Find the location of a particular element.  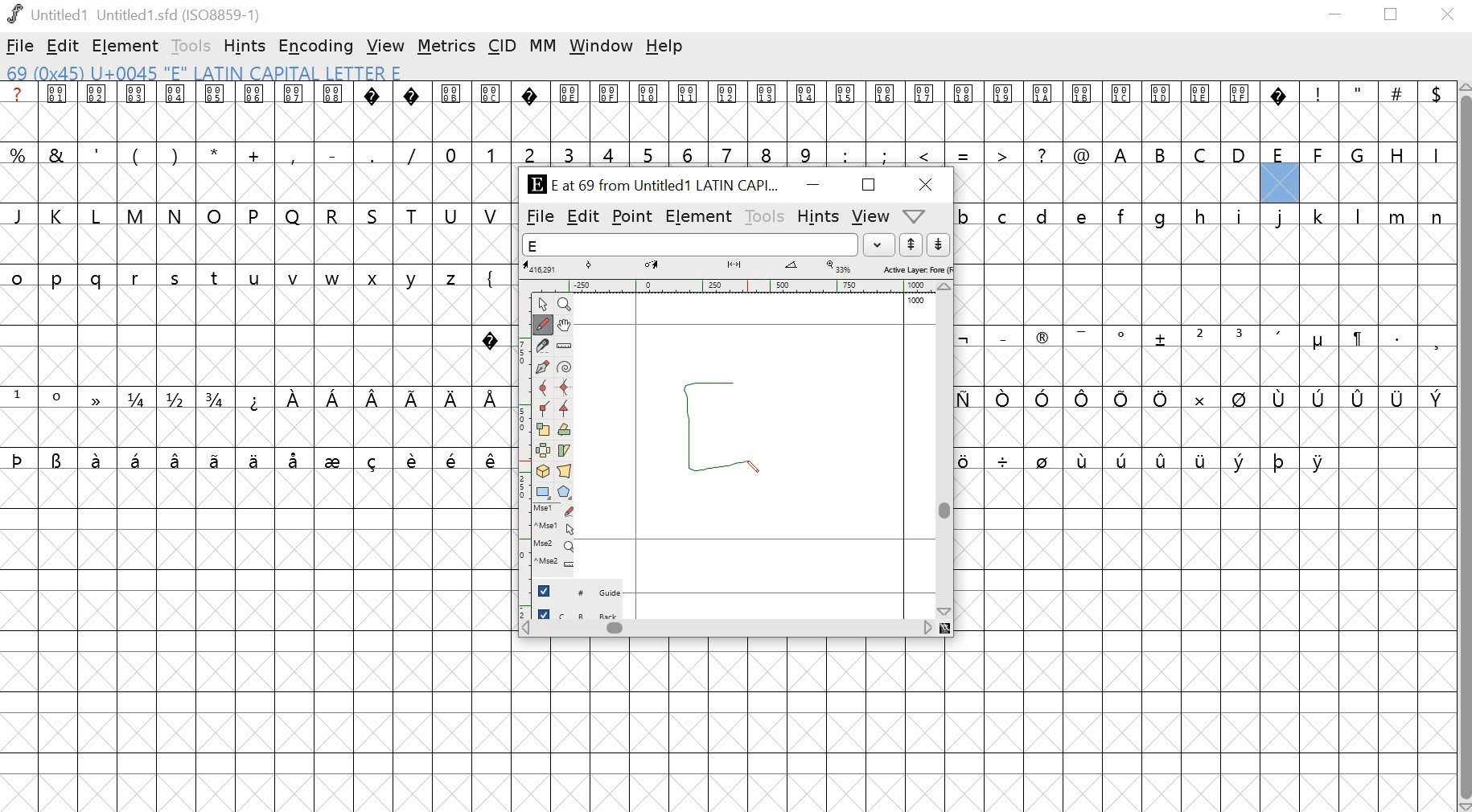

uppercase alphabets is located at coordinates (1278, 153).